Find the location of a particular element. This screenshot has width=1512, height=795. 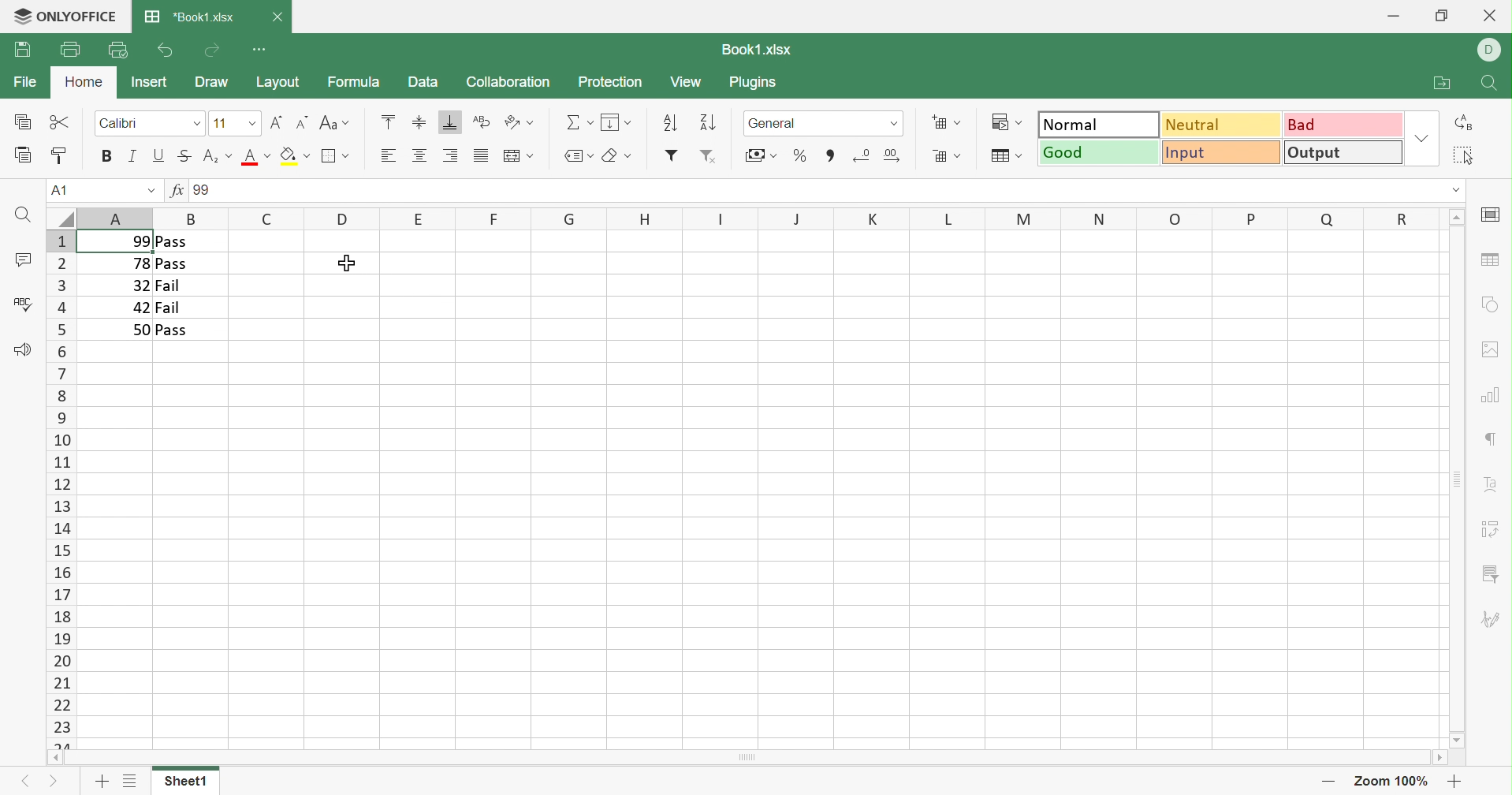

Protection is located at coordinates (609, 81).